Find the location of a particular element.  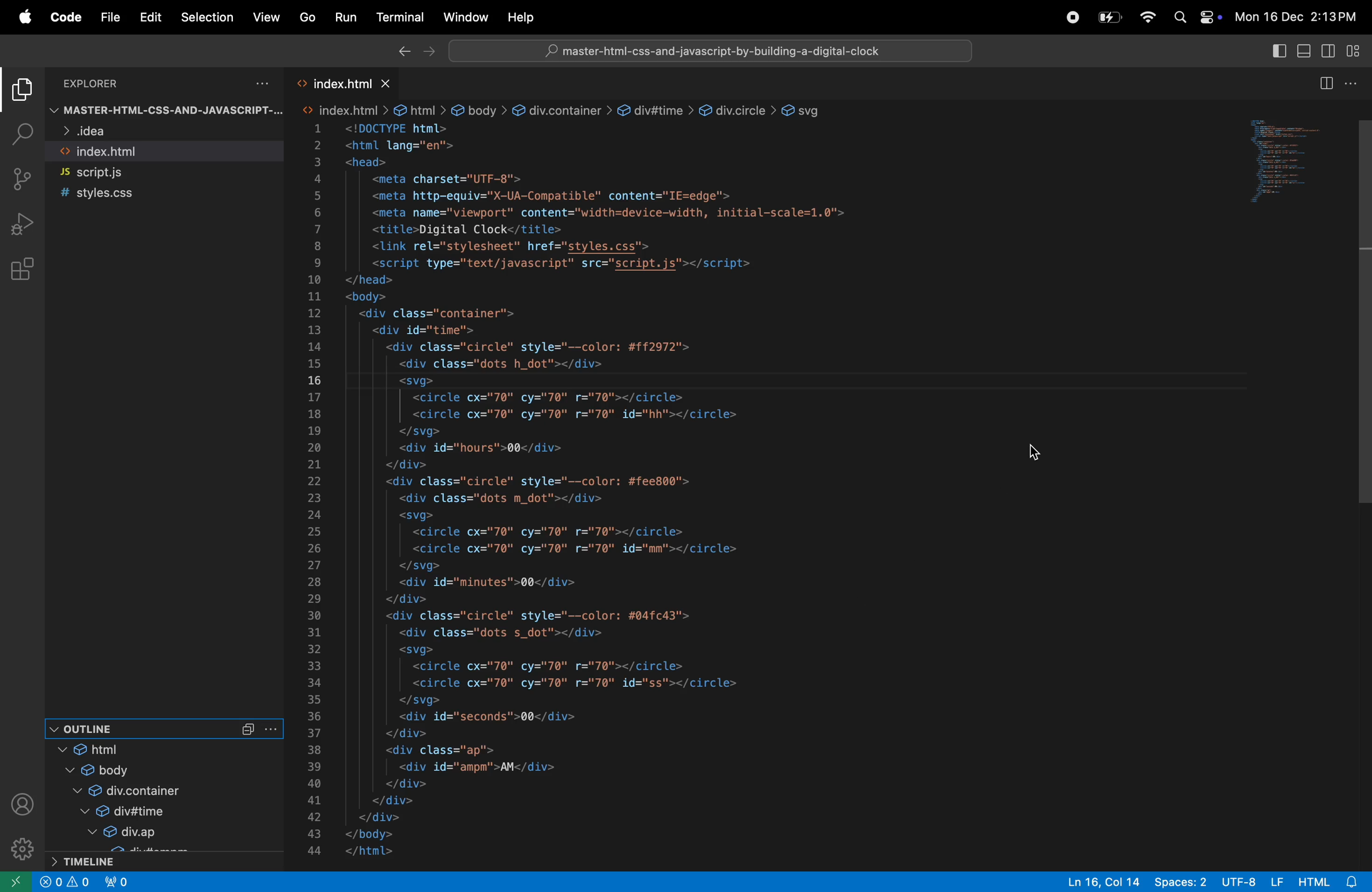

time line is located at coordinates (133, 860).